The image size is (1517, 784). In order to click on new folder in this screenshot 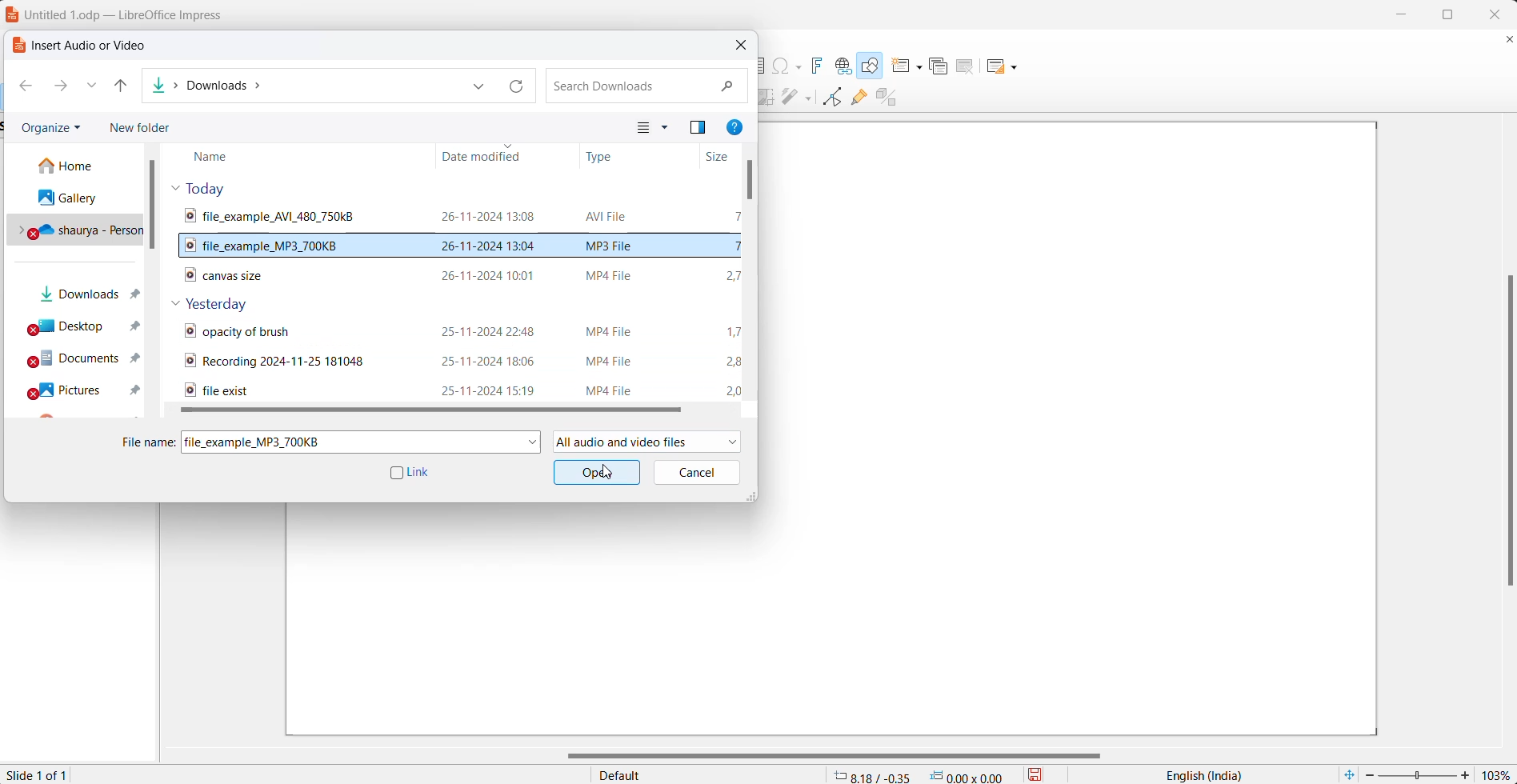, I will do `click(151, 129)`.